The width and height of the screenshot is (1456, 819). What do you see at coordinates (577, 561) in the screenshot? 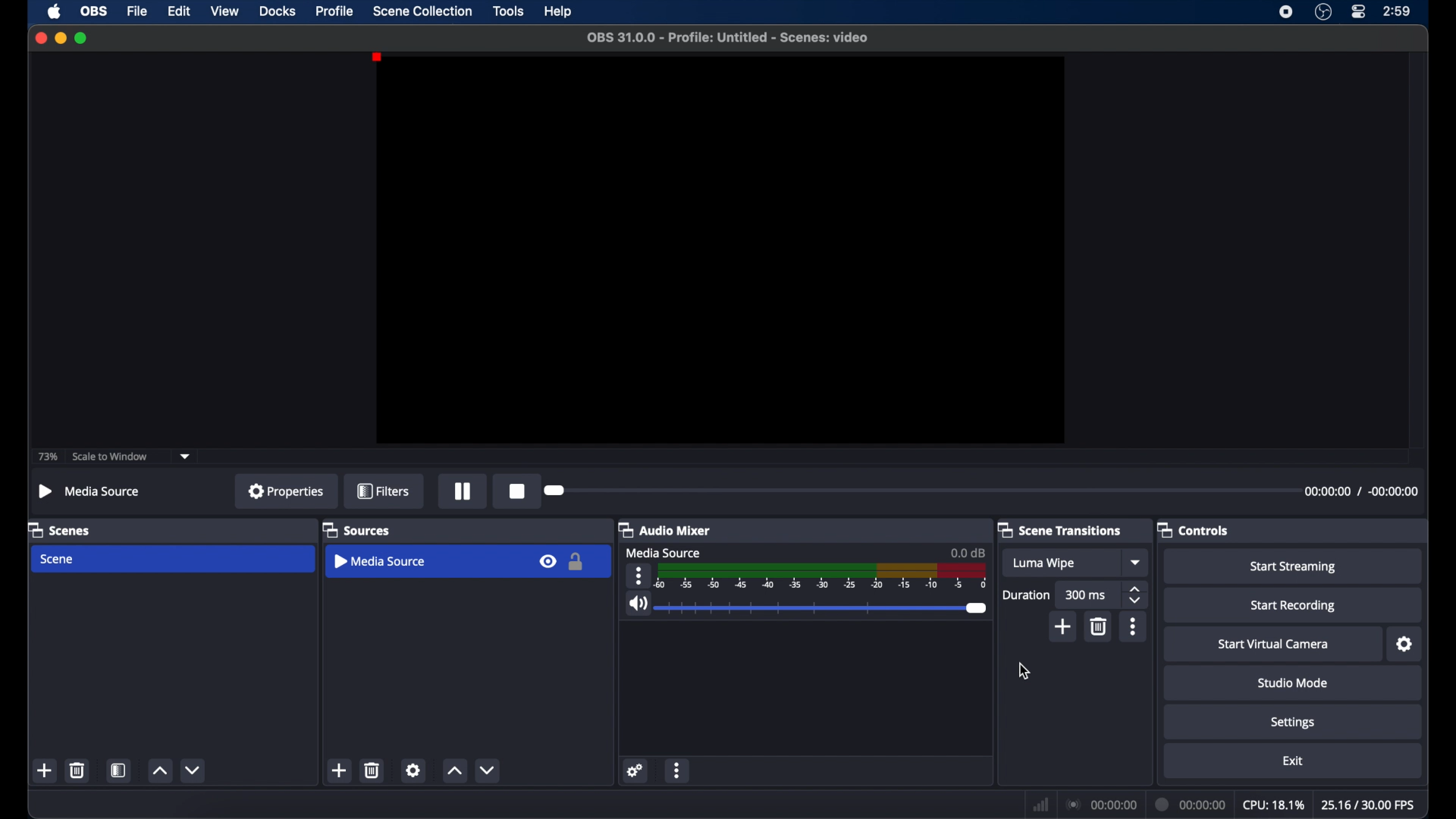
I see `lock icon` at bounding box center [577, 561].